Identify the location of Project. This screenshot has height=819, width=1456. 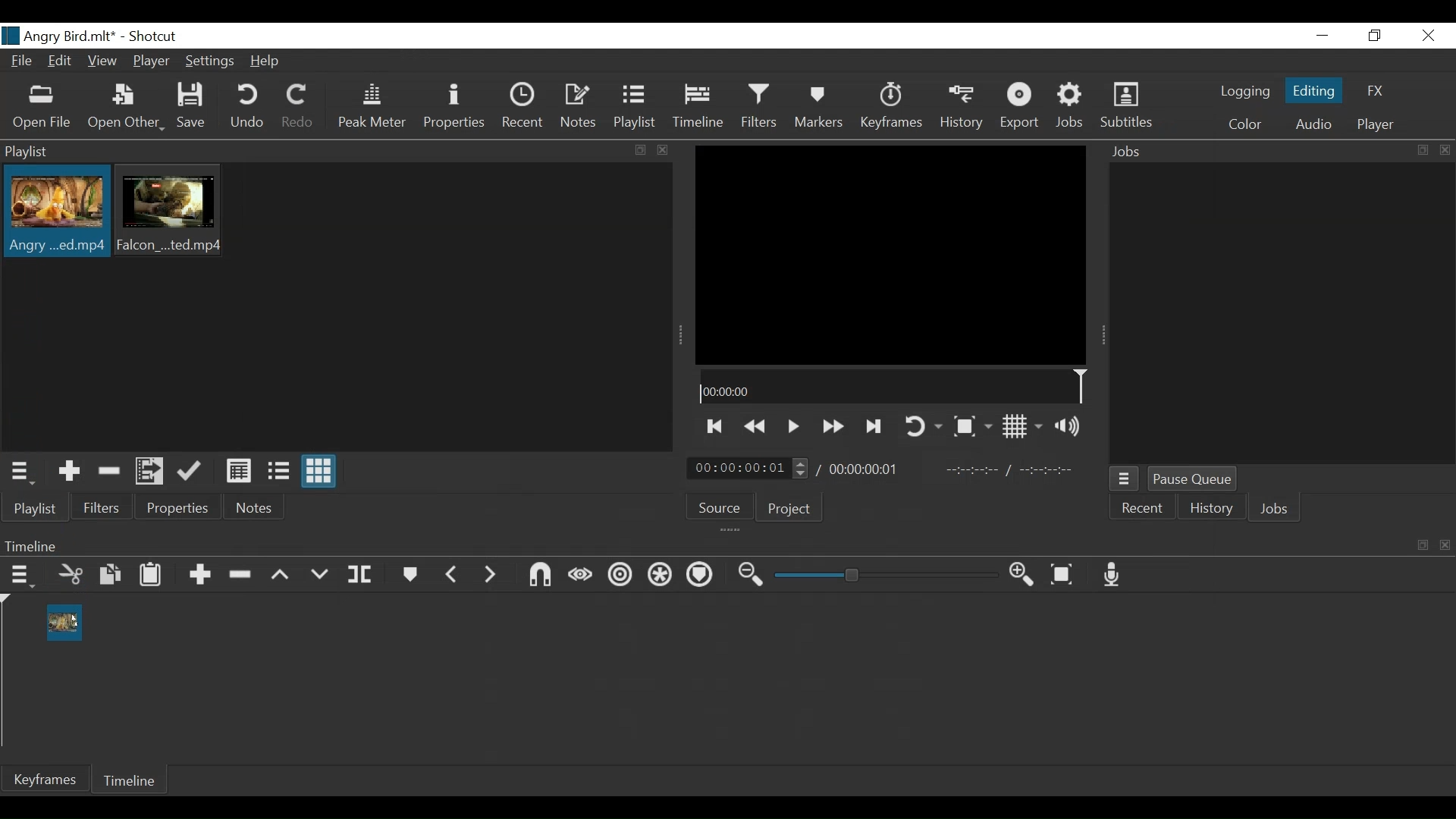
(789, 507).